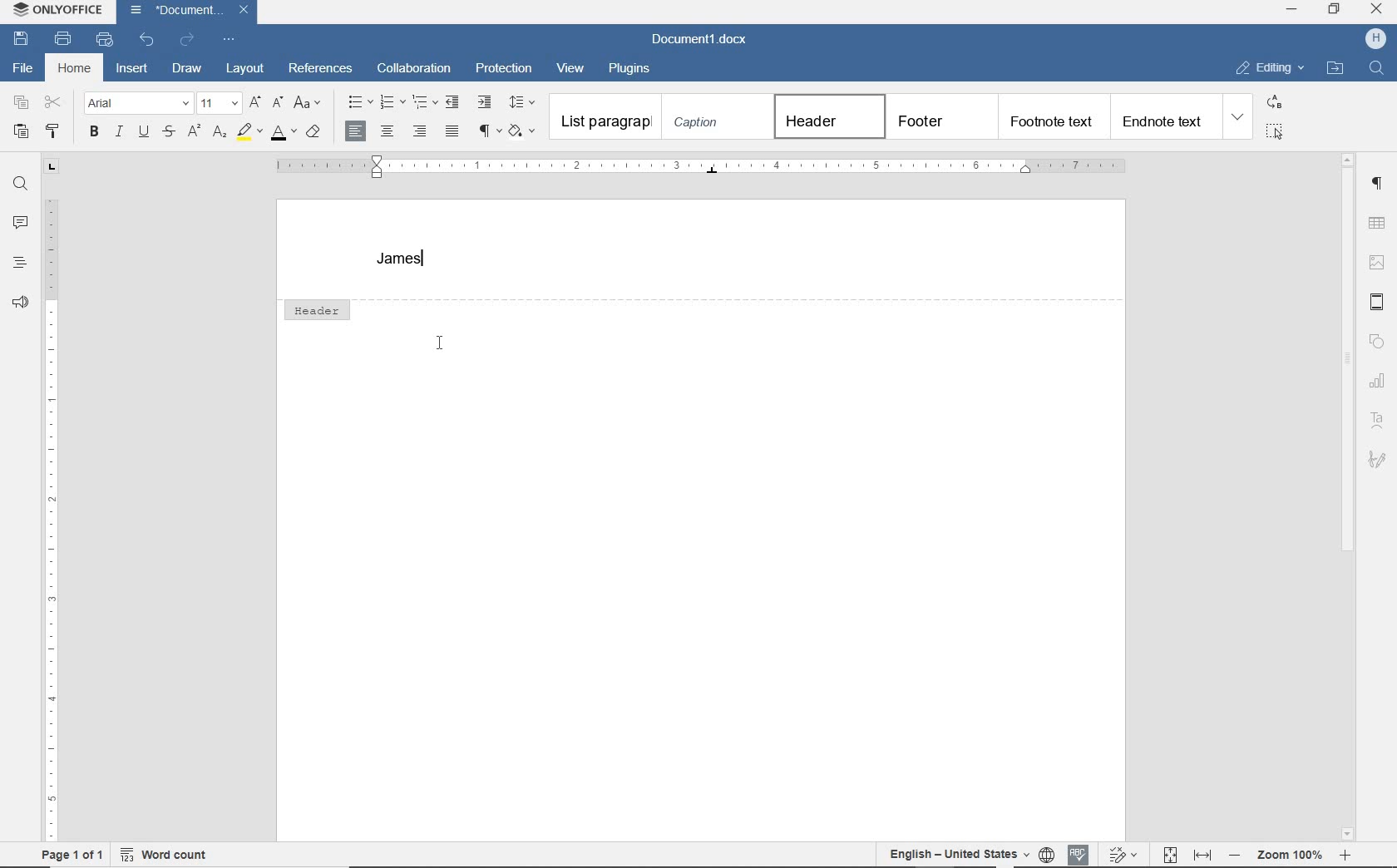 Image resolution: width=1397 pixels, height=868 pixels. I want to click on HEADER & FOOTER, so click(1379, 302).